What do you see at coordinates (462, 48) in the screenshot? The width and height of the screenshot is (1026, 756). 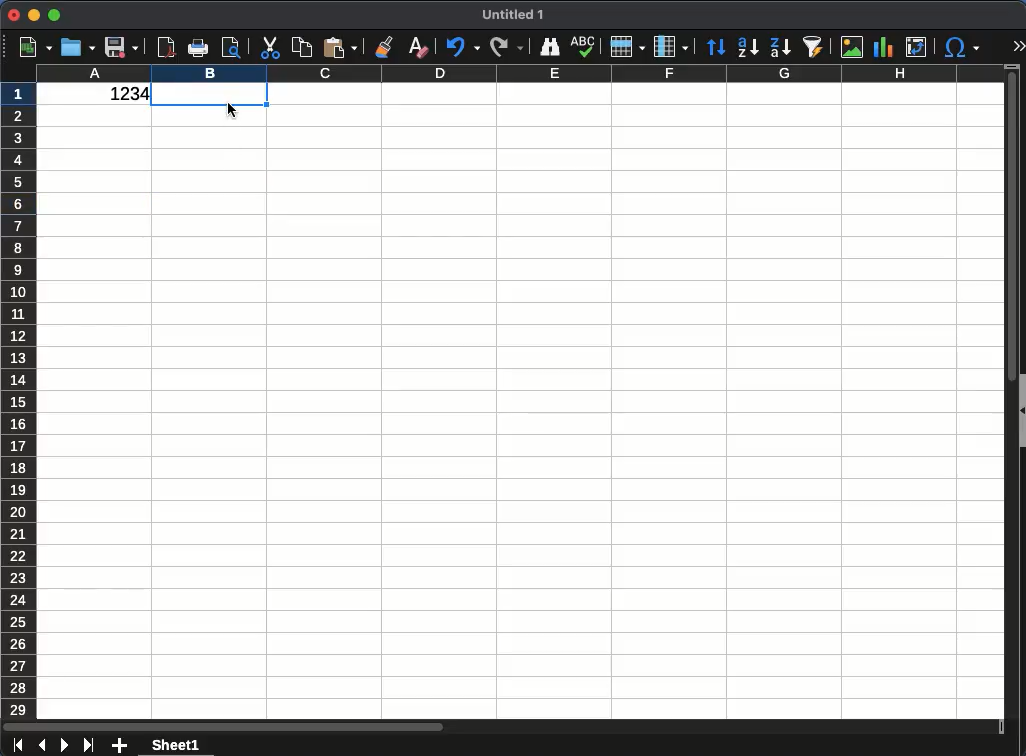 I see `undo` at bounding box center [462, 48].